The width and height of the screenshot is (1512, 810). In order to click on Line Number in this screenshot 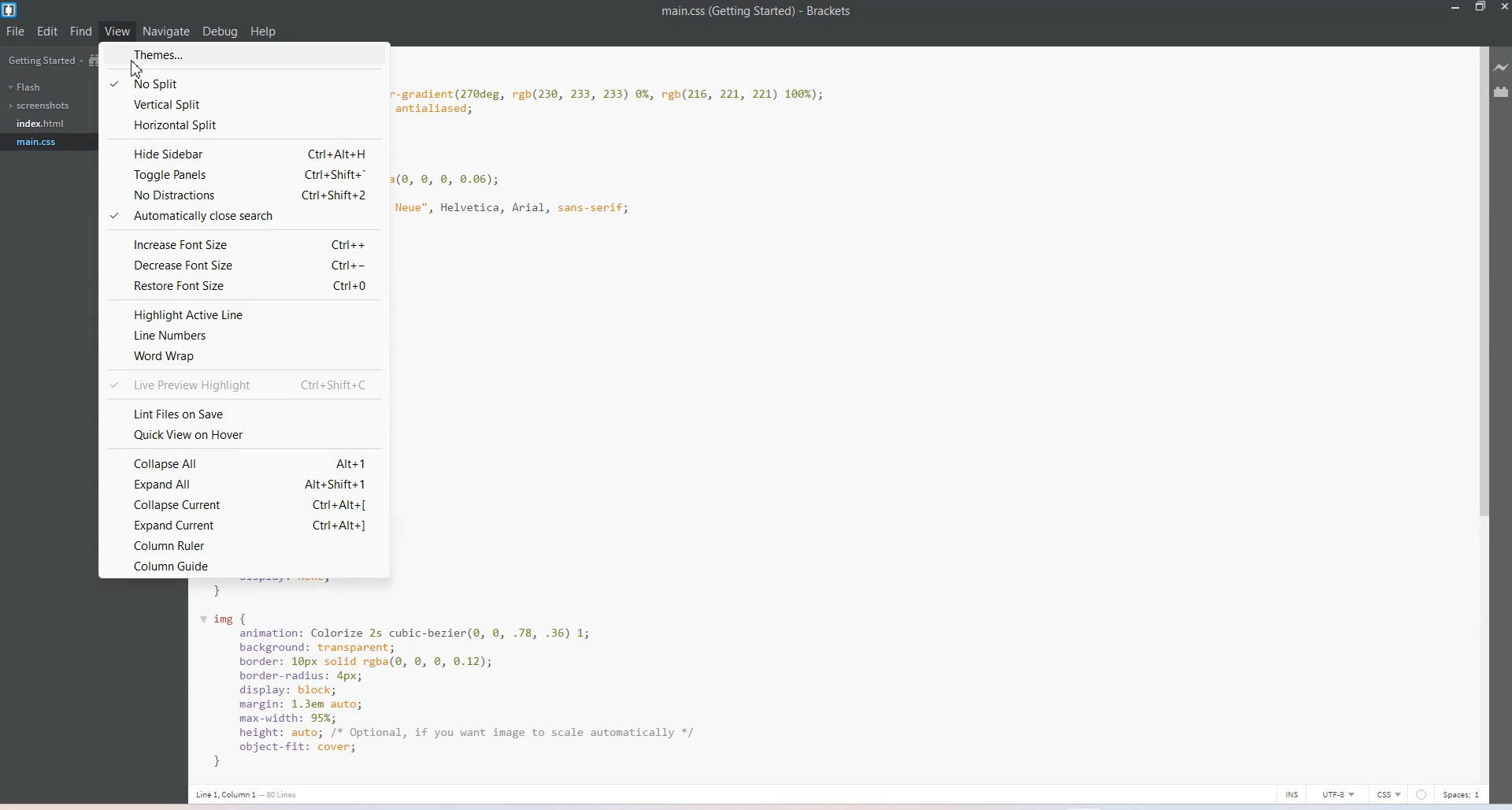, I will do `click(241, 336)`.